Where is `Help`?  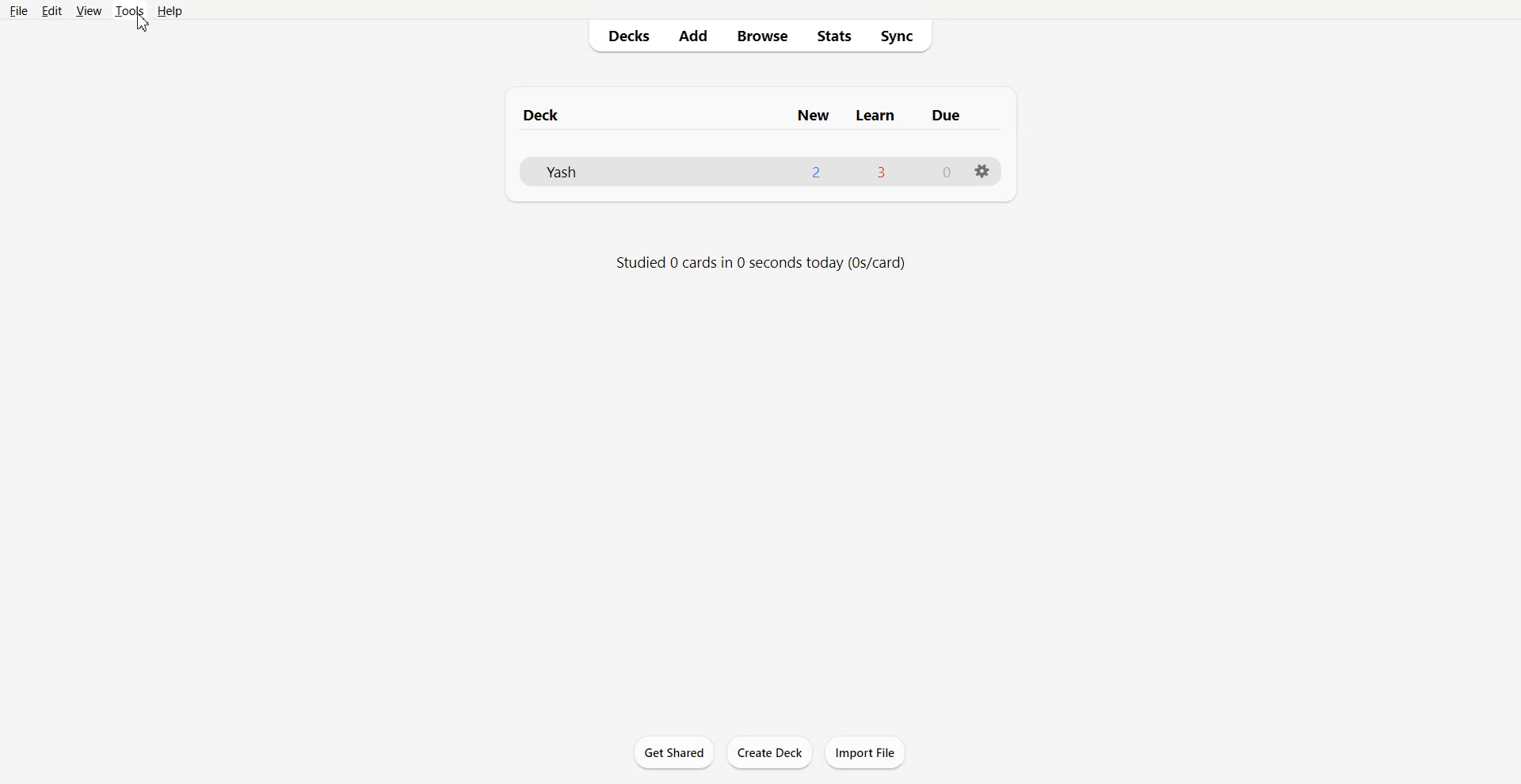
Help is located at coordinates (169, 11).